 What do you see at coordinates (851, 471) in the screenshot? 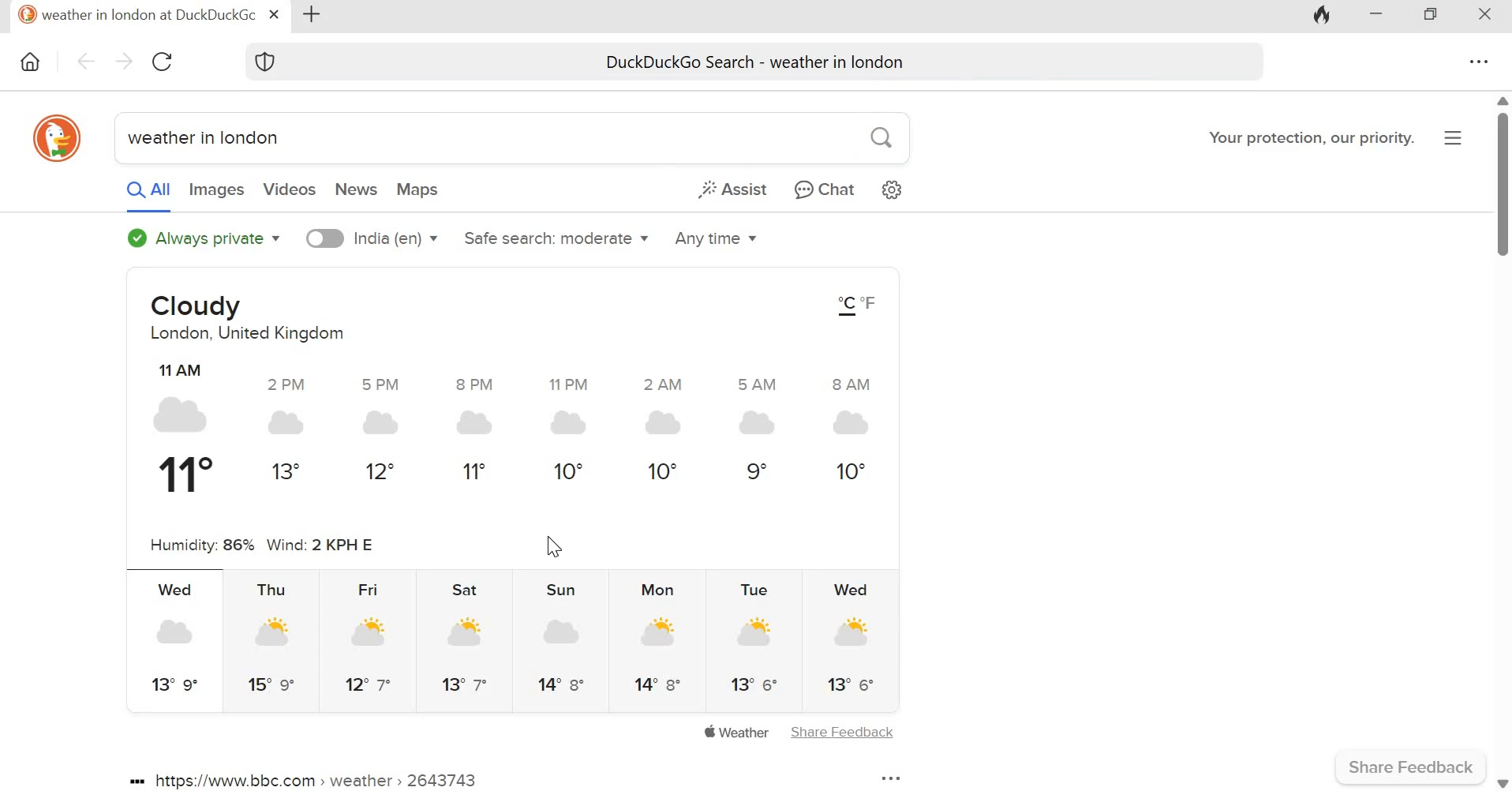
I see `10°` at bounding box center [851, 471].